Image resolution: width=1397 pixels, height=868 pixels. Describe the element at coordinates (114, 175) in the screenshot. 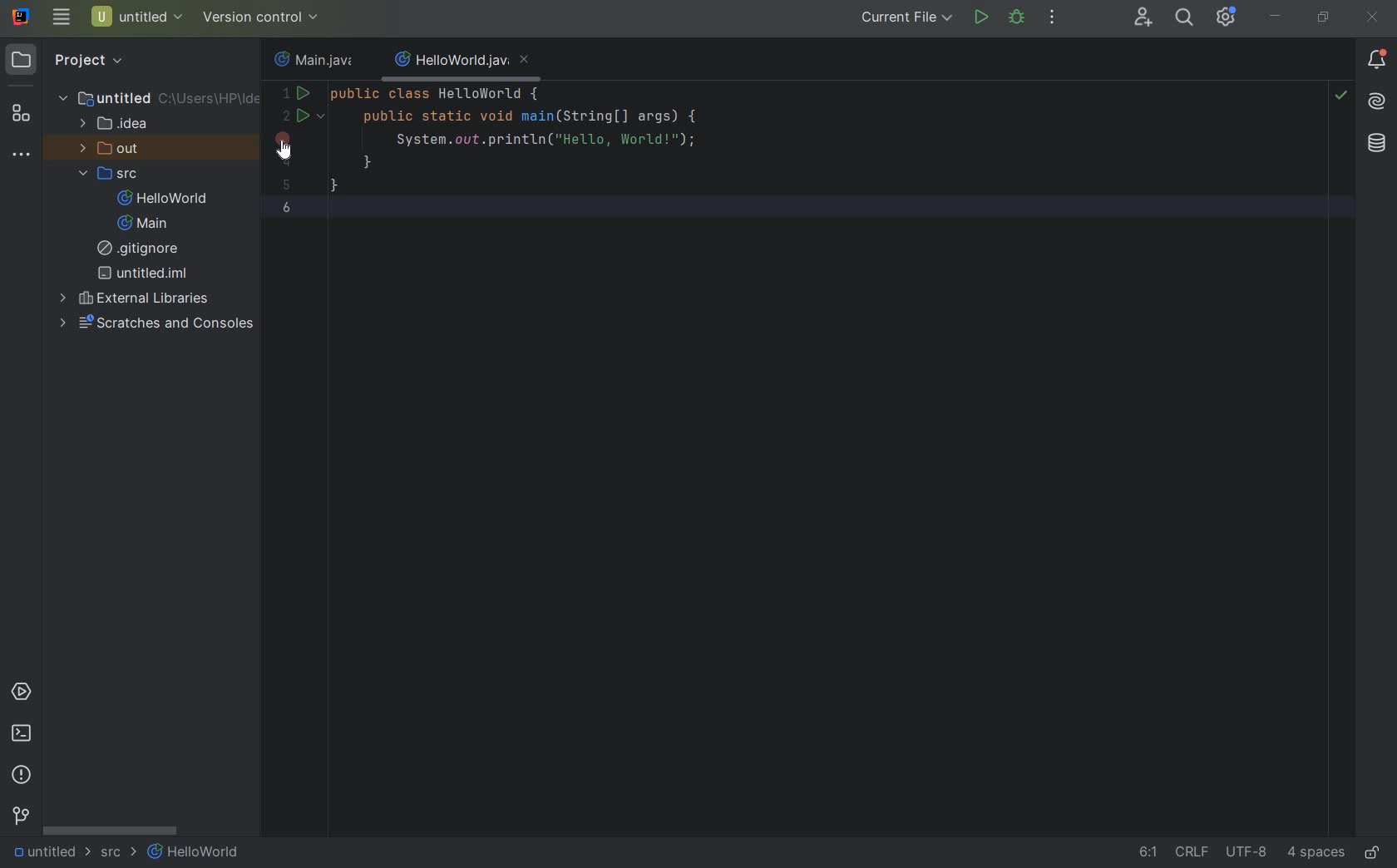

I see `src` at that location.